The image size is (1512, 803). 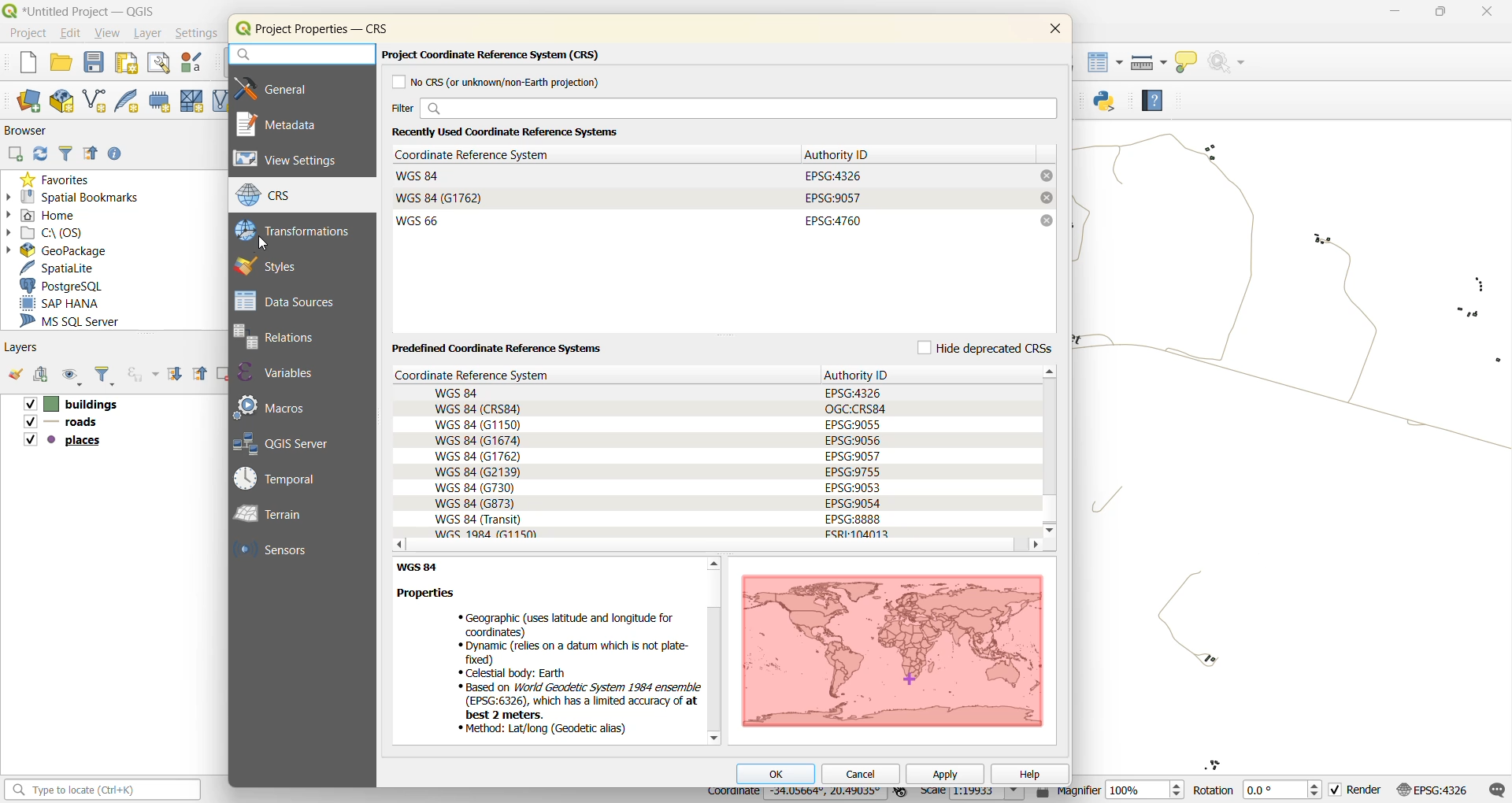 I want to click on WGS 84 (G1150), so click(x=479, y=426).